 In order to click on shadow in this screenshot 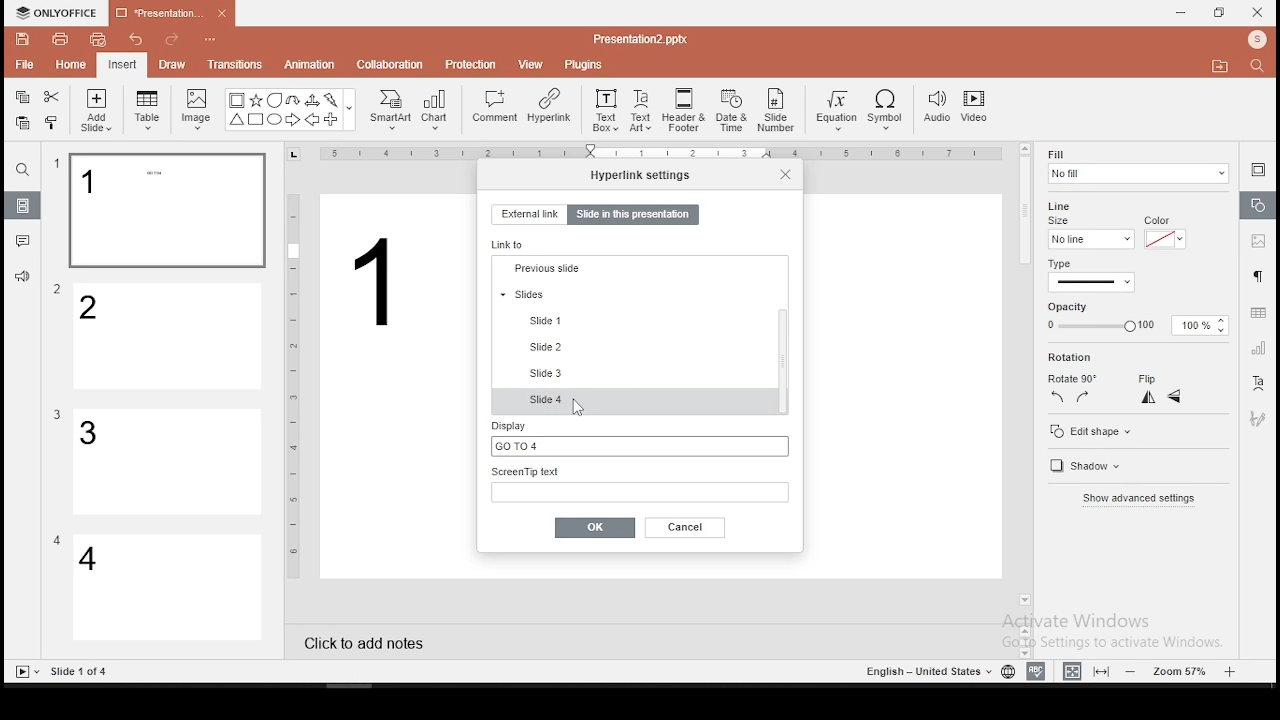, I will do `click(1082, 468)`.